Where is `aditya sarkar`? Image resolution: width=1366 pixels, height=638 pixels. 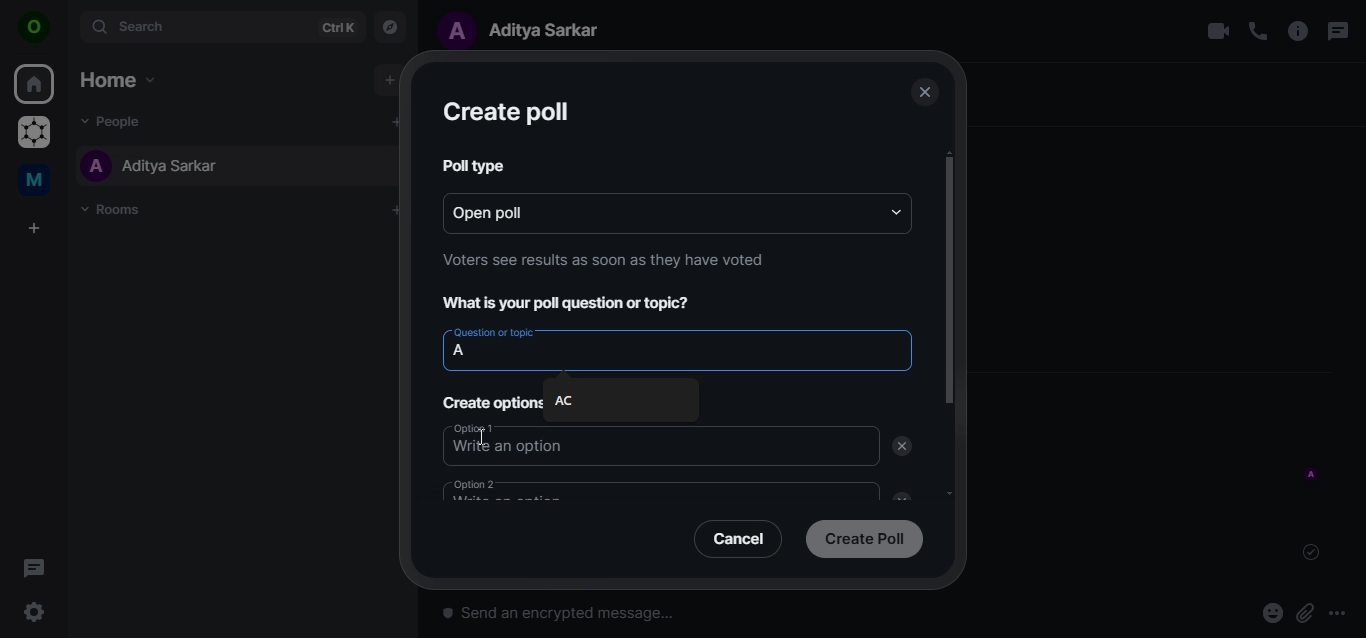 aditya sarkar is located at coordinates (151, 165).